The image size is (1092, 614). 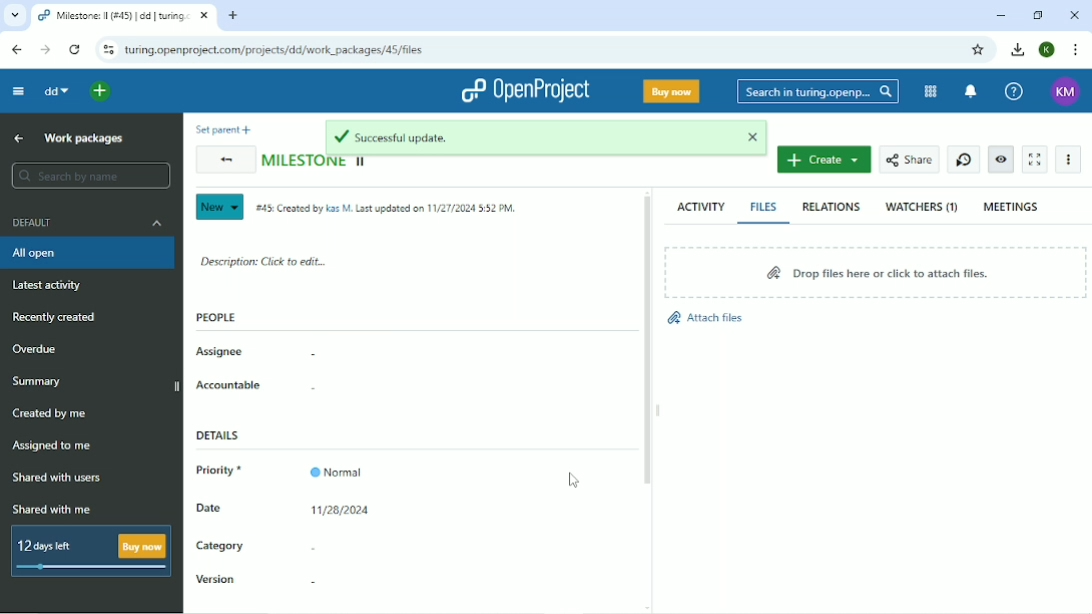 I want to click on Open quick add menu, so click(x=102, y=92).